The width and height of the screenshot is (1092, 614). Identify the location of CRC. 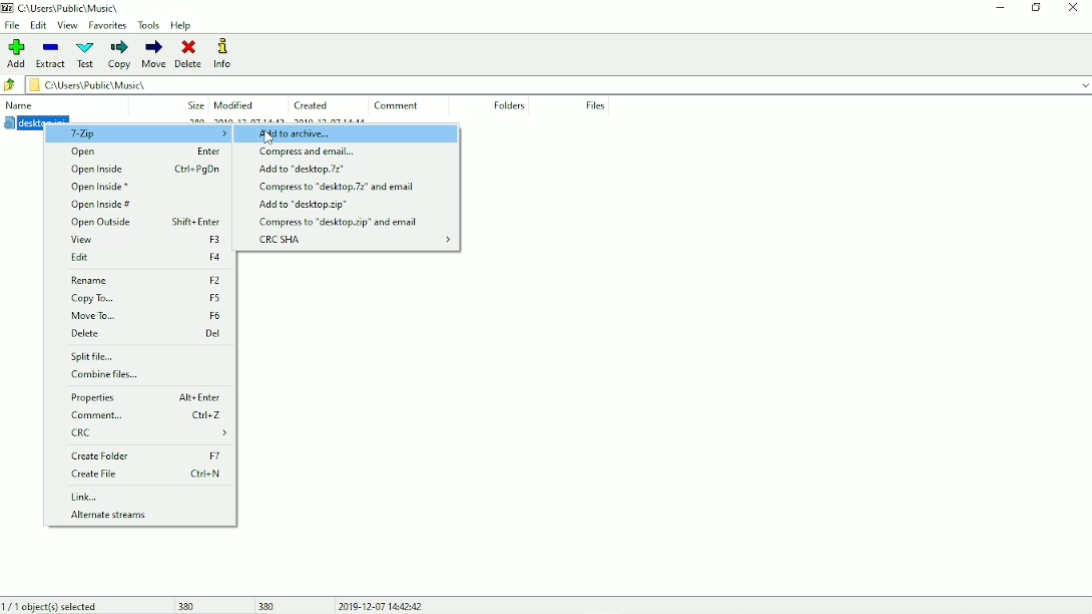
(148, 434).